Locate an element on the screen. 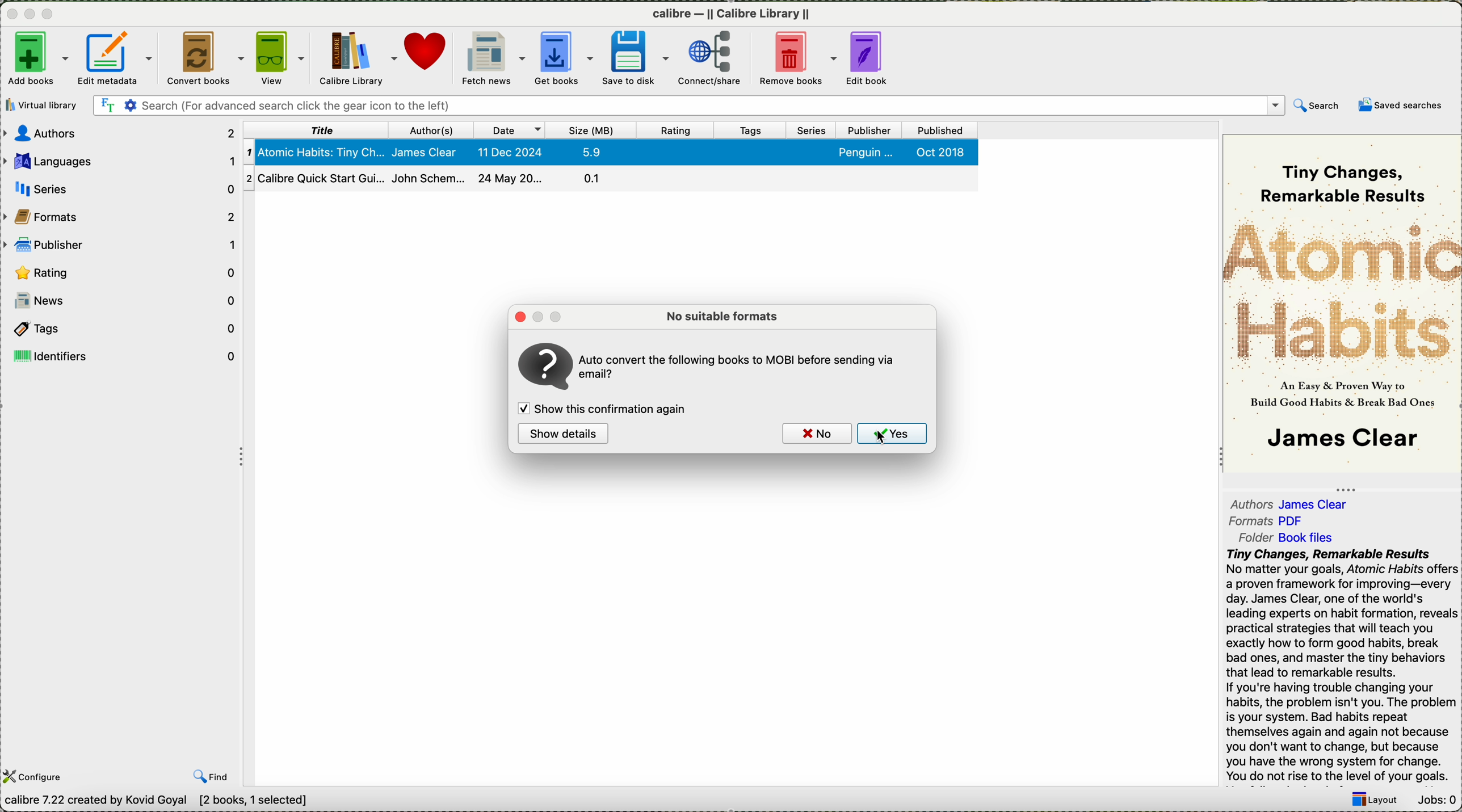 This screenshot has height=812, width=1462. edit metadata is located at coordinates (117, 58).